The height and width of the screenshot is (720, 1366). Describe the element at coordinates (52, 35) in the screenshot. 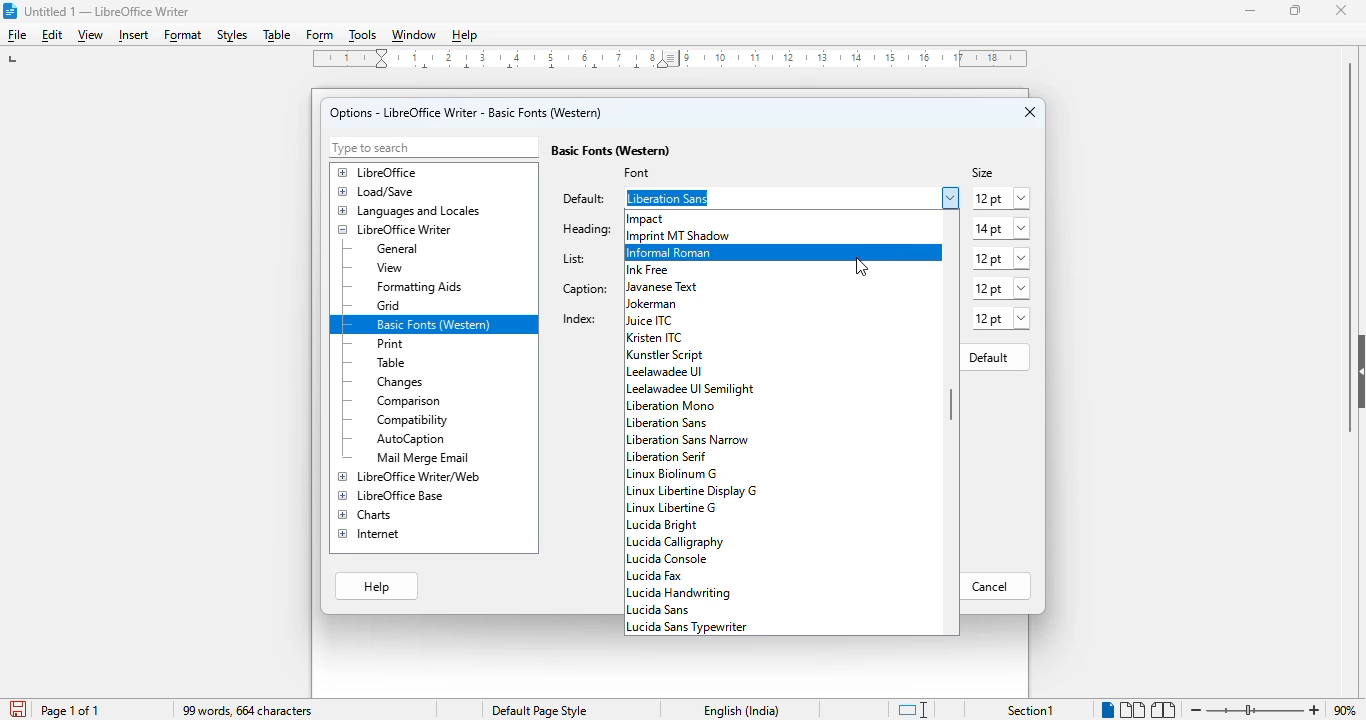

I see `edit` at that location.